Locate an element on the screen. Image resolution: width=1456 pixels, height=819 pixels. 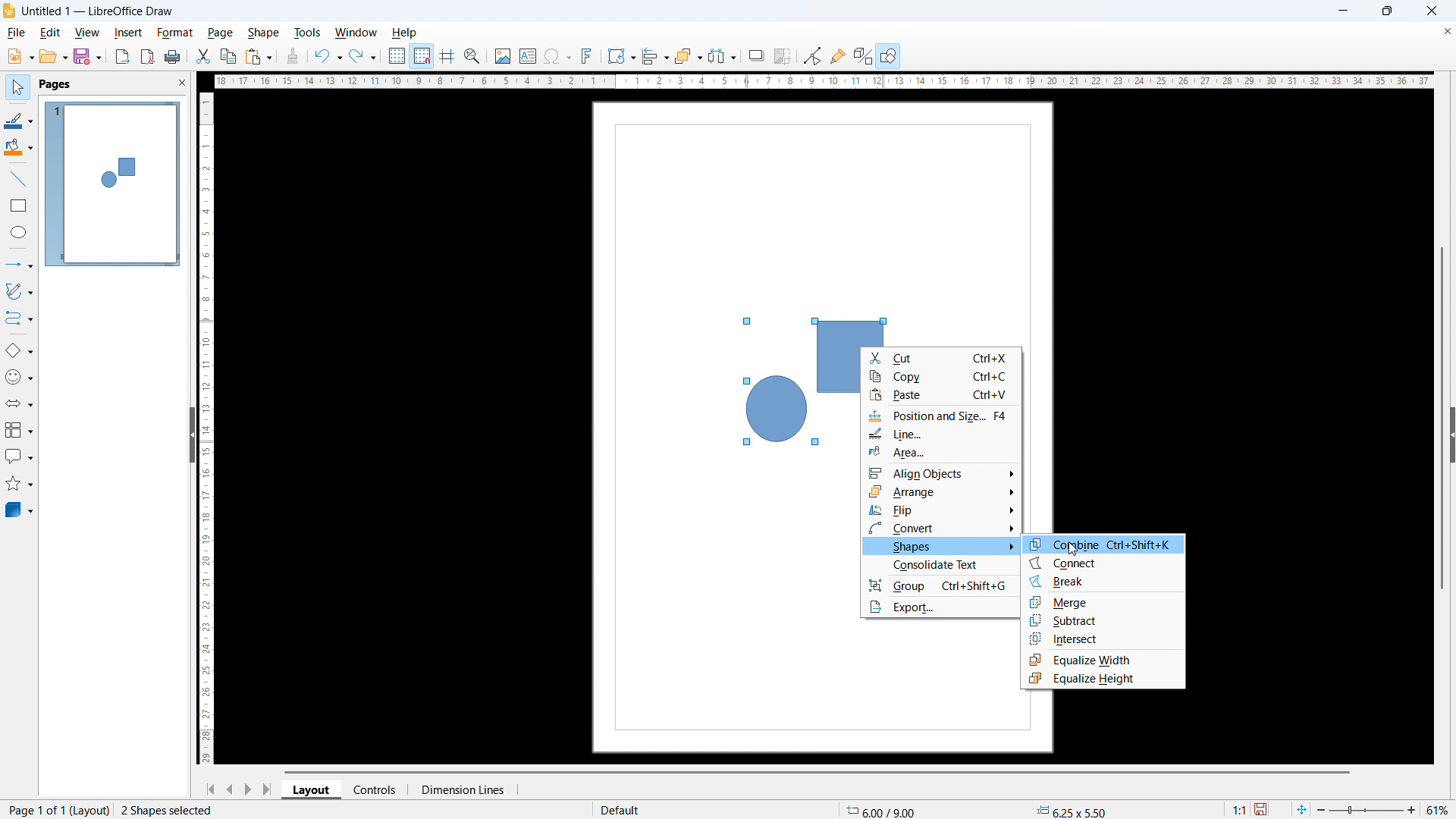
lines & arrows is located at coordinates (22, 265).